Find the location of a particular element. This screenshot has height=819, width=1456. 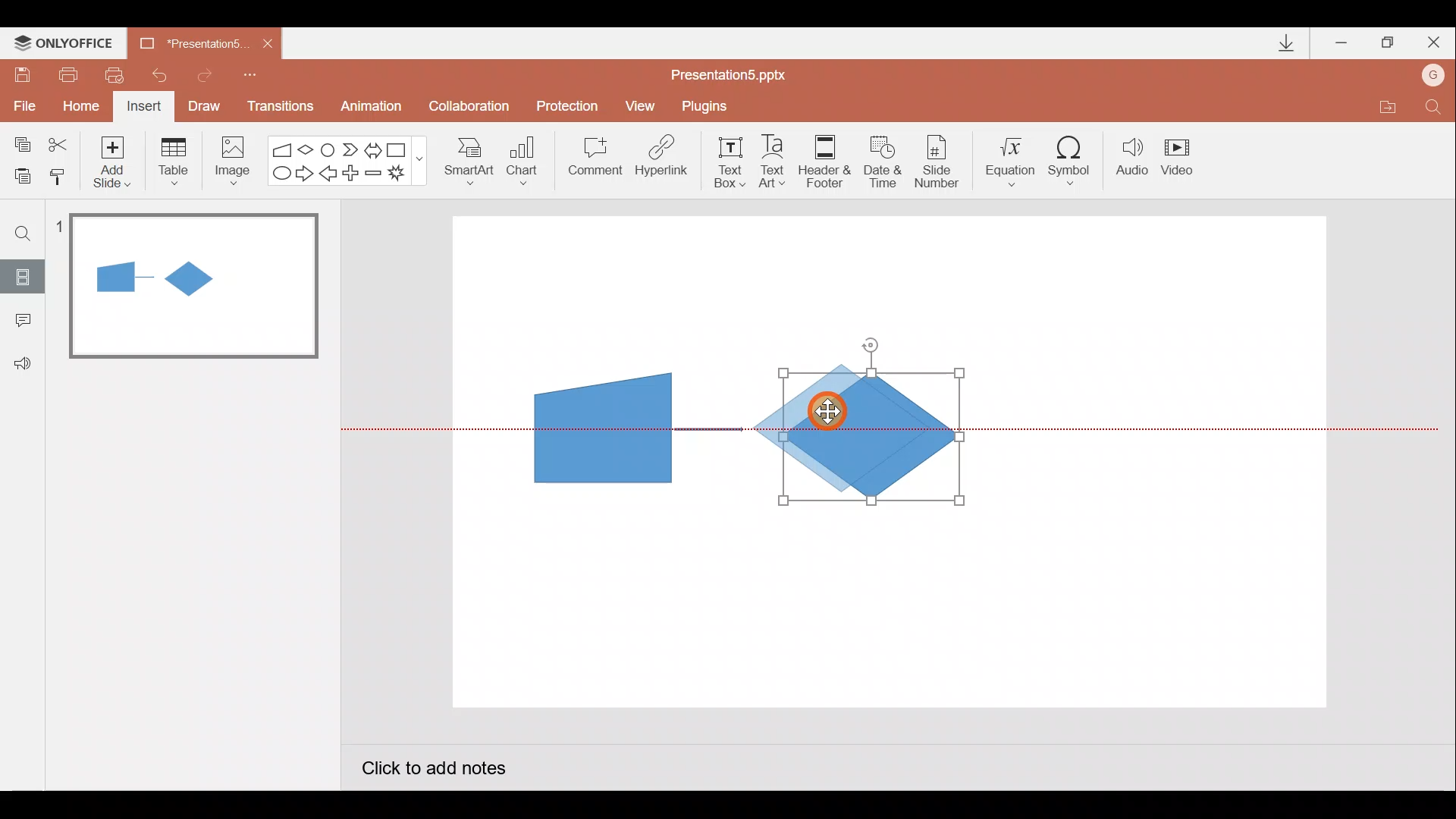

Audio is located at coordinates (1133, 160).